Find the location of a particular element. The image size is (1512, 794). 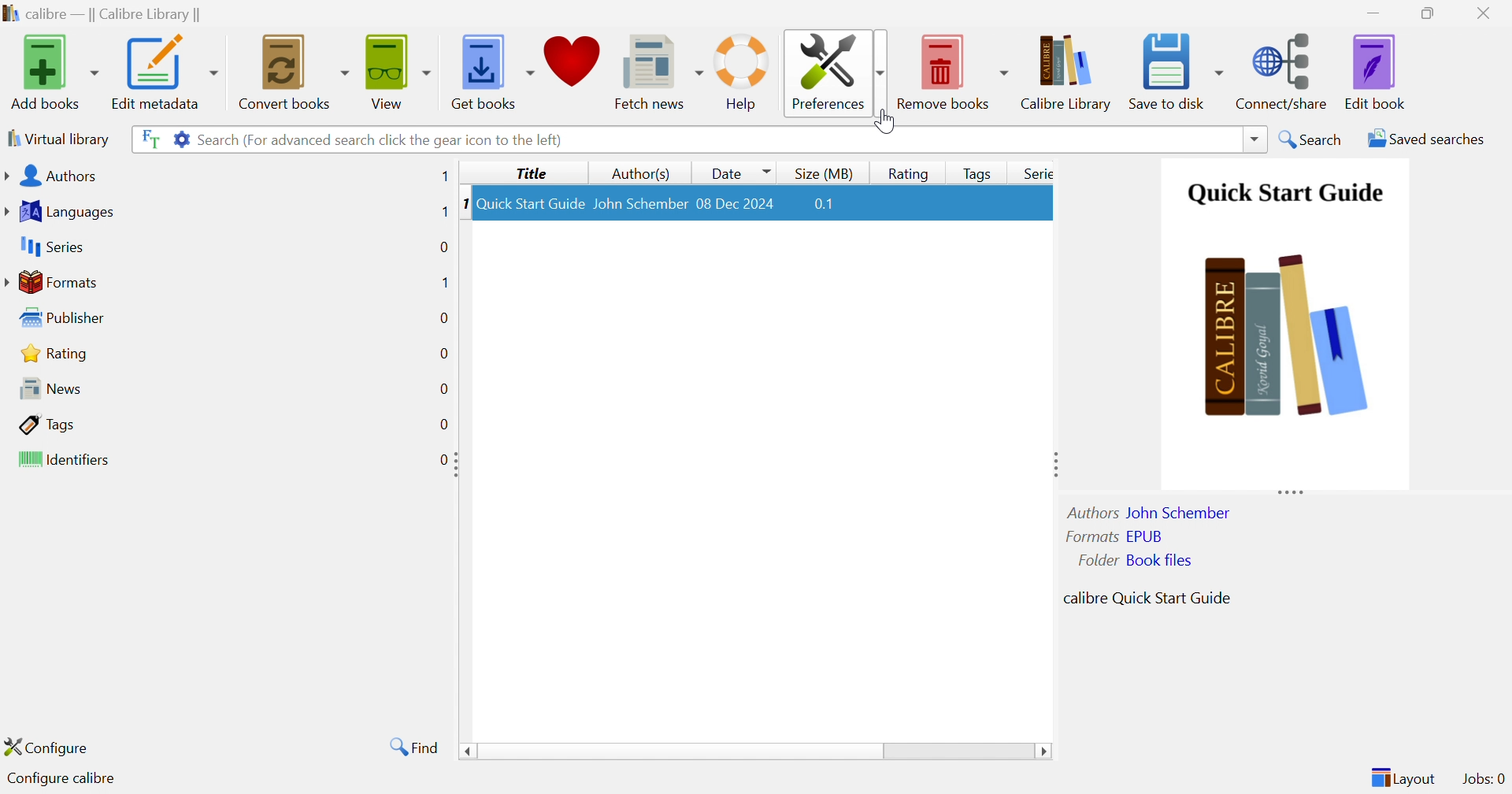

0 is located at coordinates (443, 354).